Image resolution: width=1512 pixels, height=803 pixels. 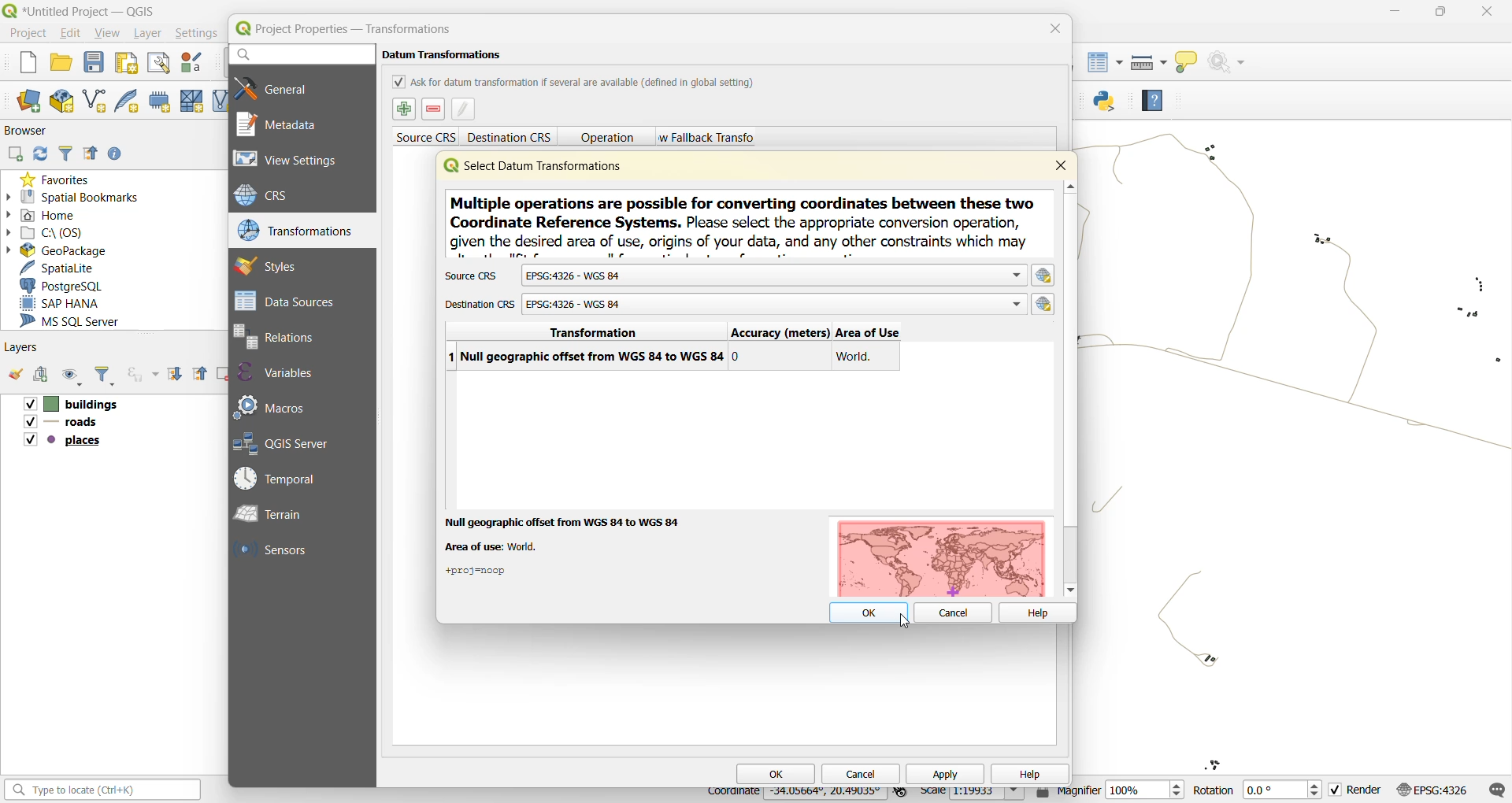 I want to click on 0, so click(x=736, y=356).